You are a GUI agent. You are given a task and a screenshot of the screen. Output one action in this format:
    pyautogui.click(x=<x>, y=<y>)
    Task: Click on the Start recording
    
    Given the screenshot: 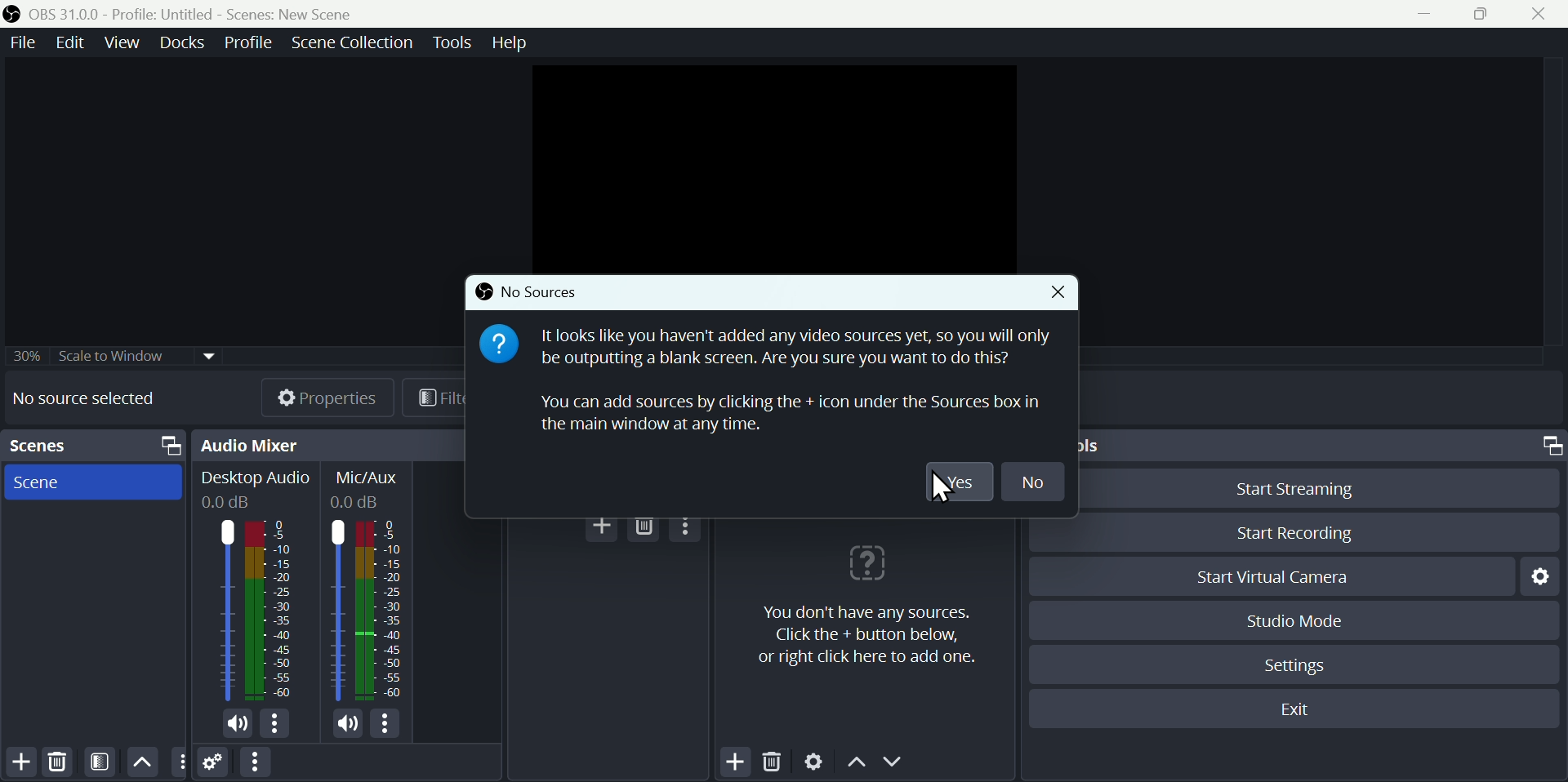 What is the action you would take?
    pyautogui.click(x=1294, y=531)
    